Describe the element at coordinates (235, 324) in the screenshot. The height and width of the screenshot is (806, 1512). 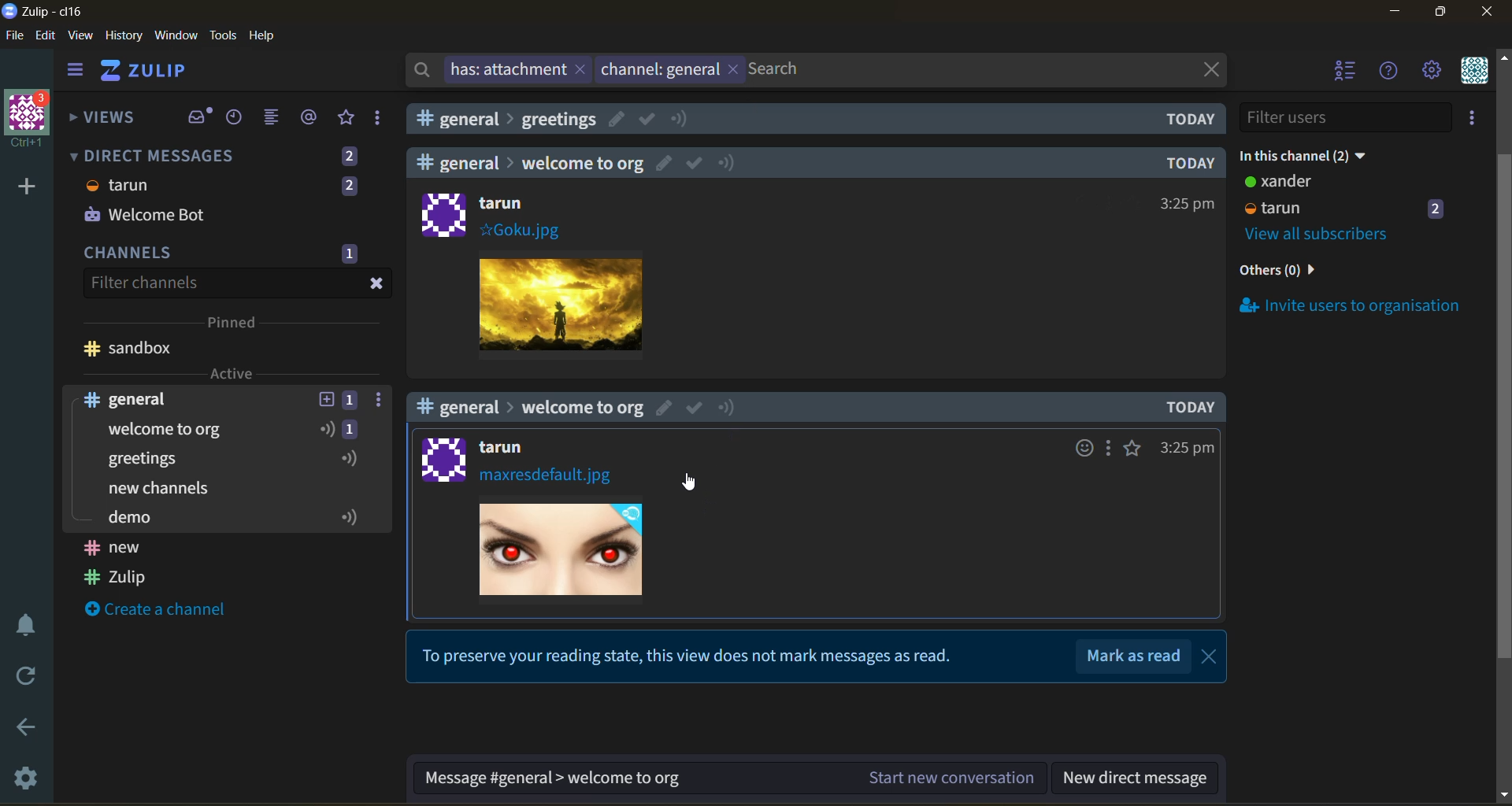
I see `pinned` at that location.